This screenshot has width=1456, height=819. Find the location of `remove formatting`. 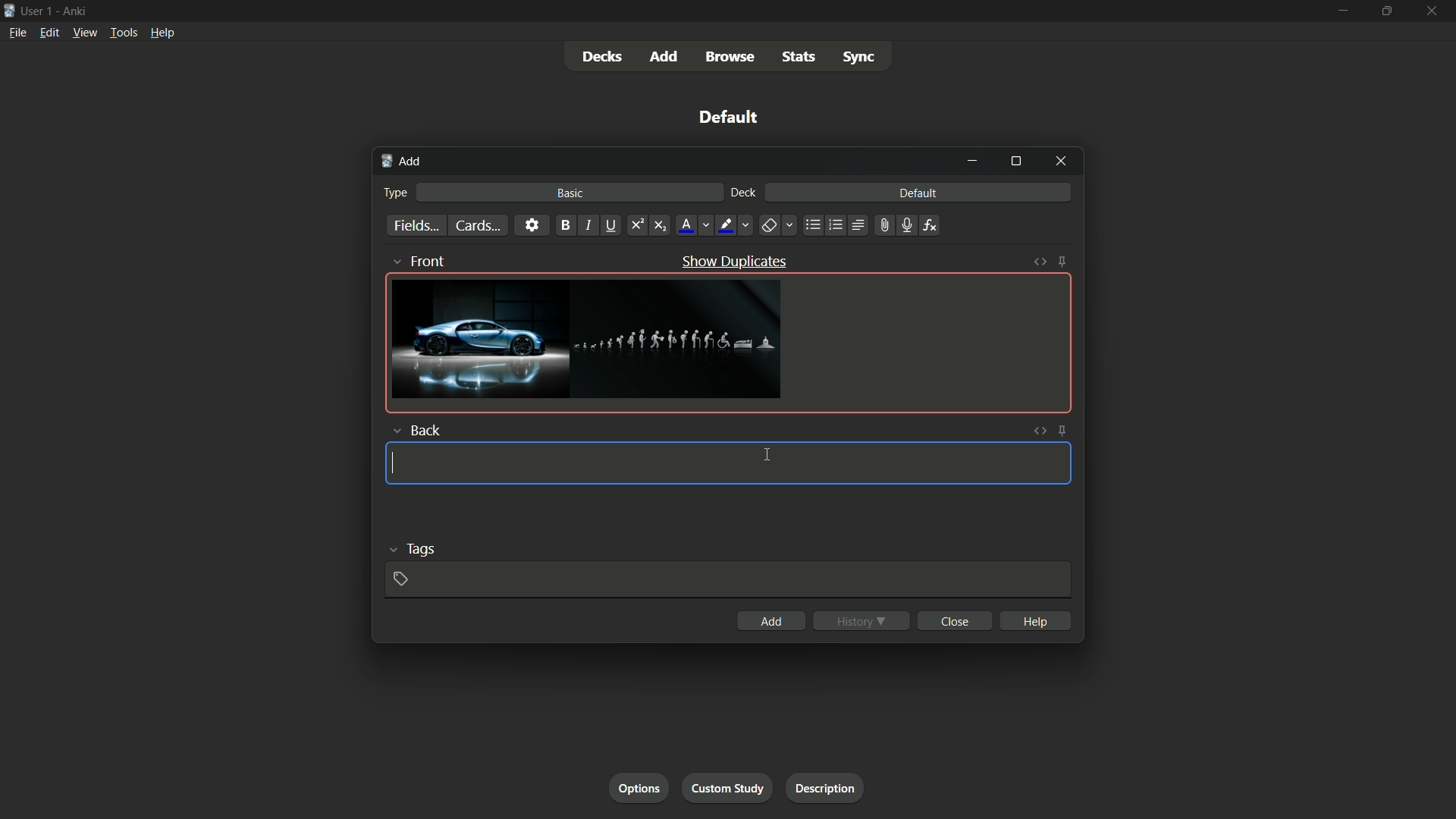

remove formatting is located at coordinates (778, 224).